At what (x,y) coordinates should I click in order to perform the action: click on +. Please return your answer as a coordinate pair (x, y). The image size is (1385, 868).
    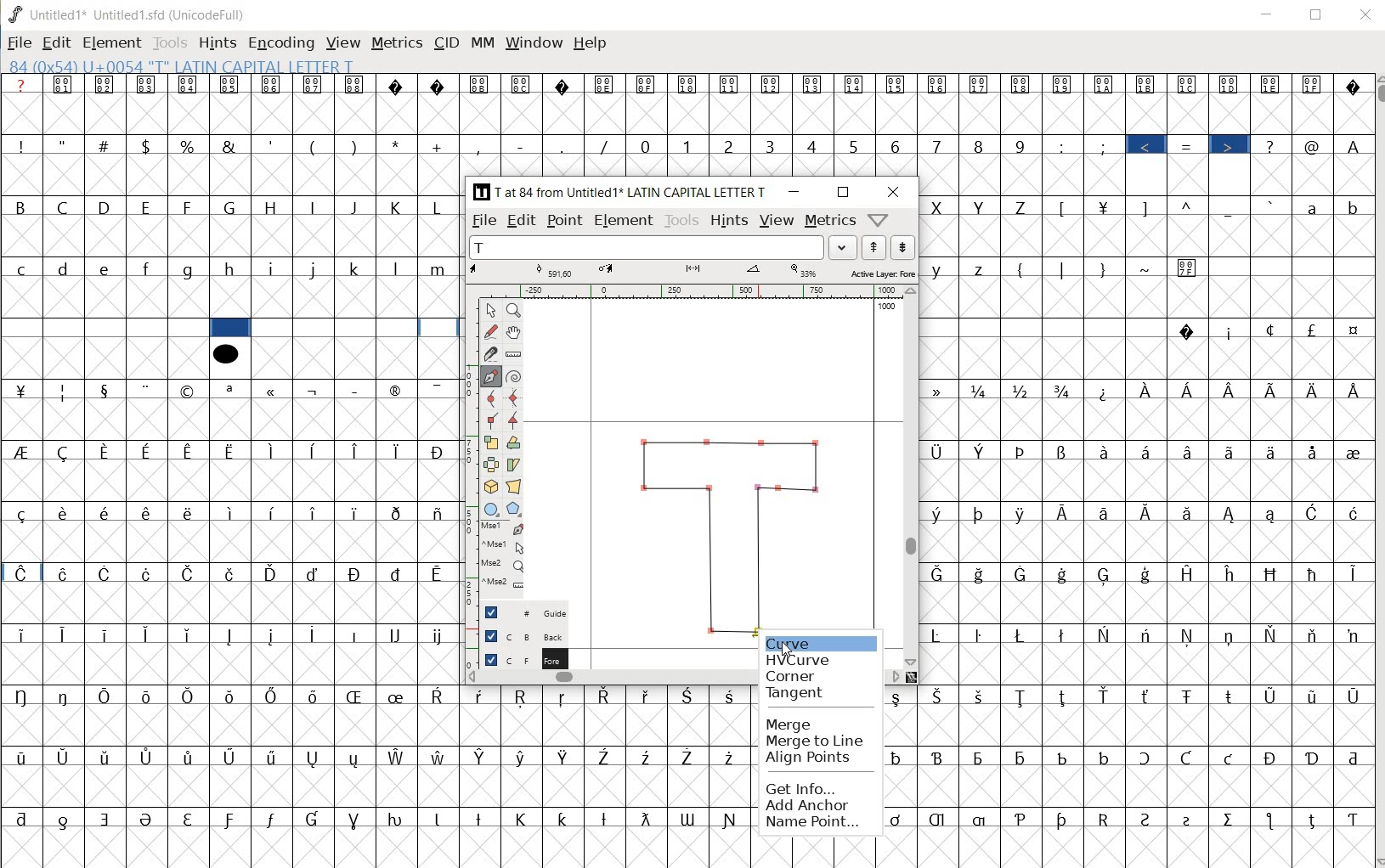
    Looking at the image, I should click on (439, 146).